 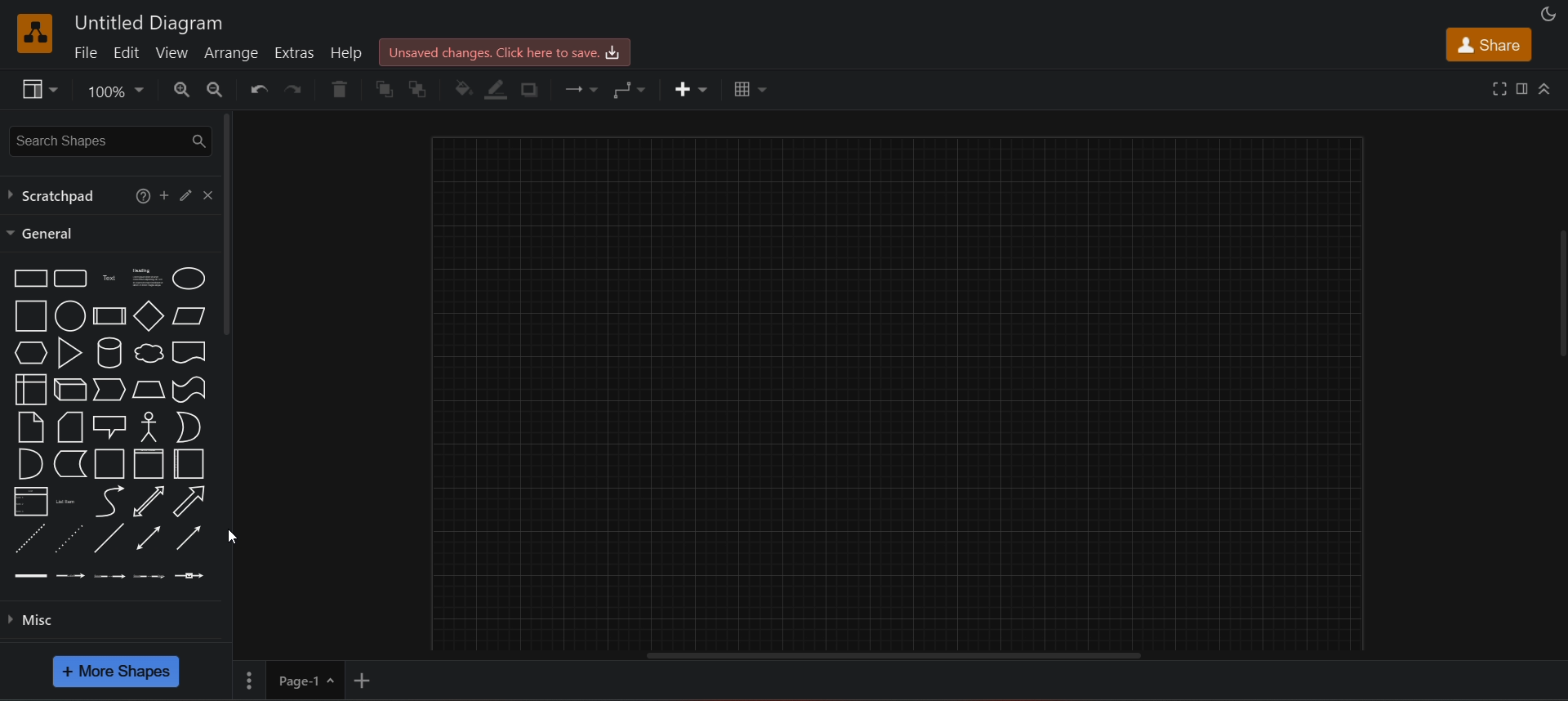 I want to click on note, so click(x=30, y=427).